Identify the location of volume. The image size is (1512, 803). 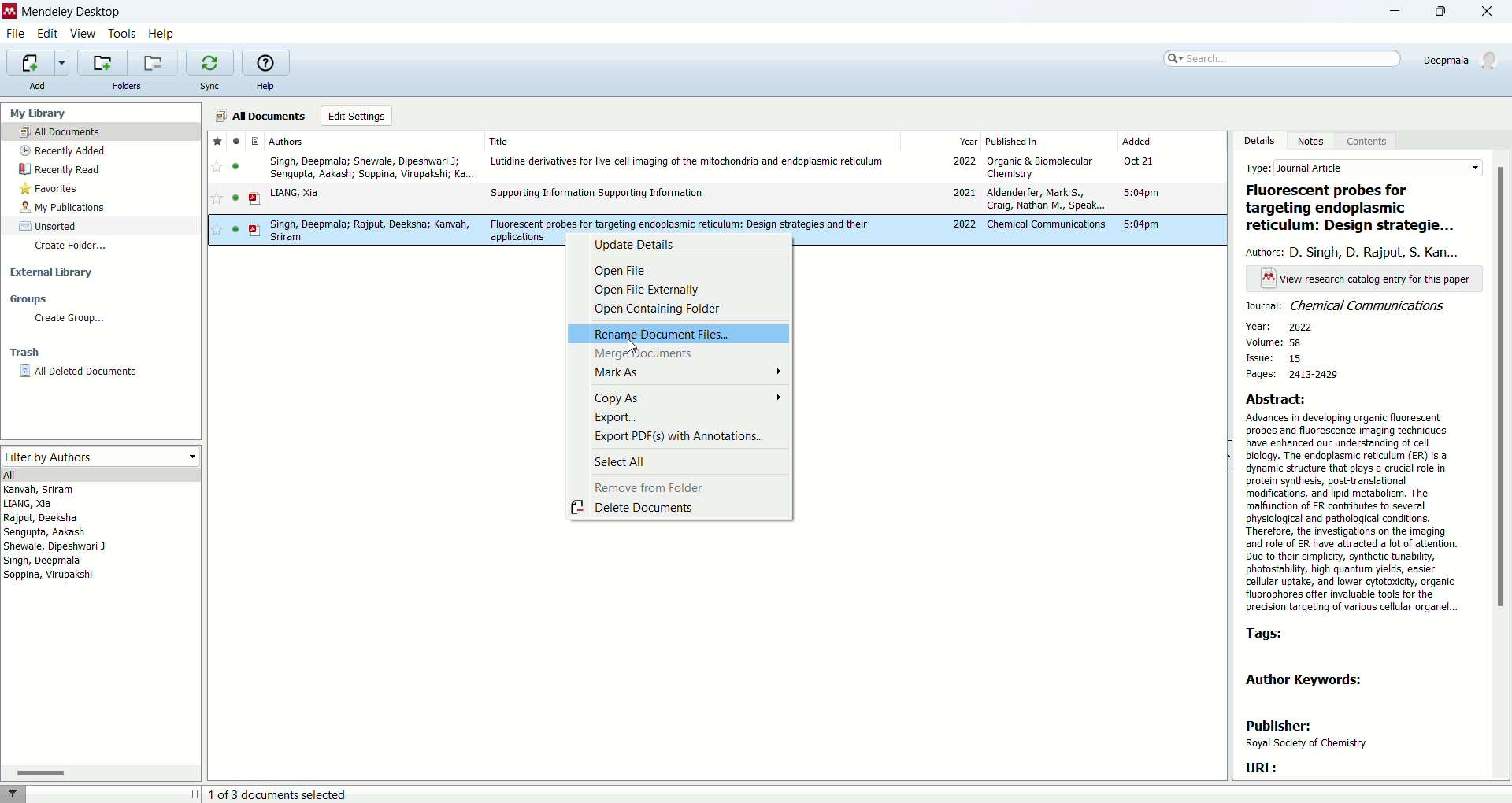
(1286, 342).